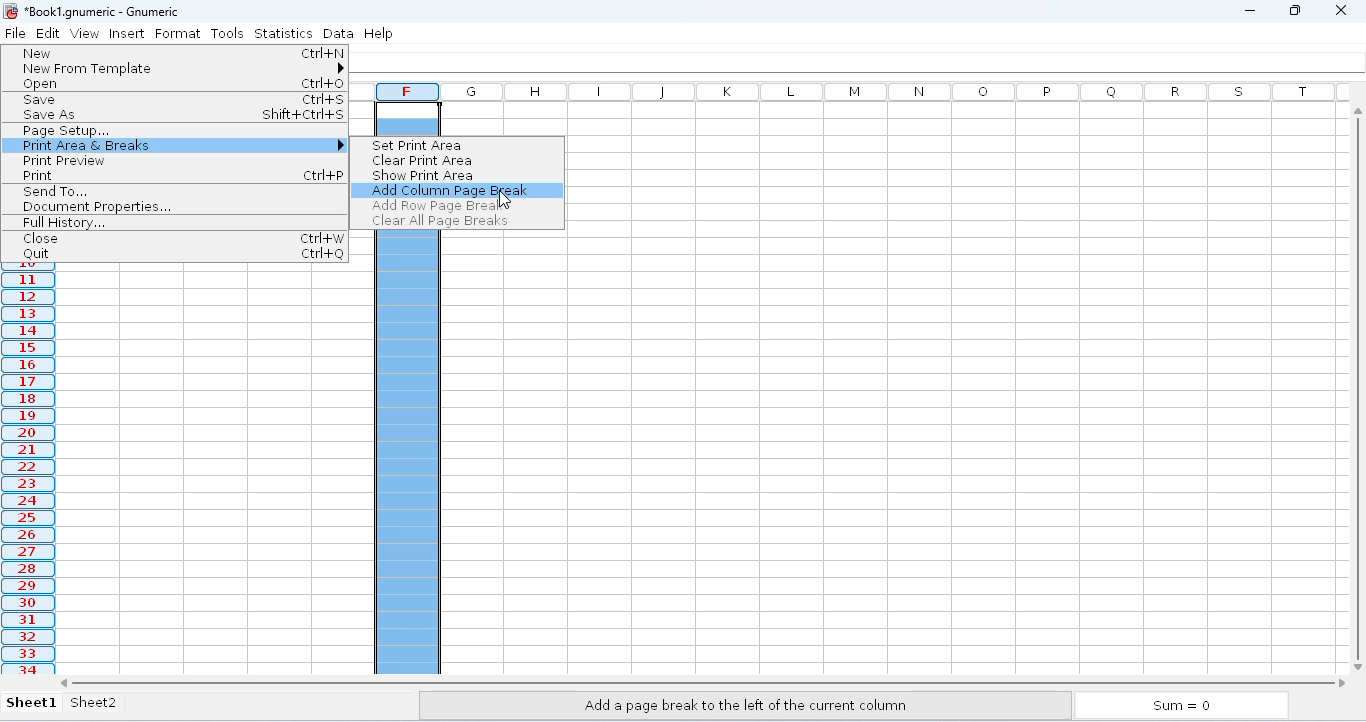 The image size is (1366, 722). I want to click on open, so click(38, 84).